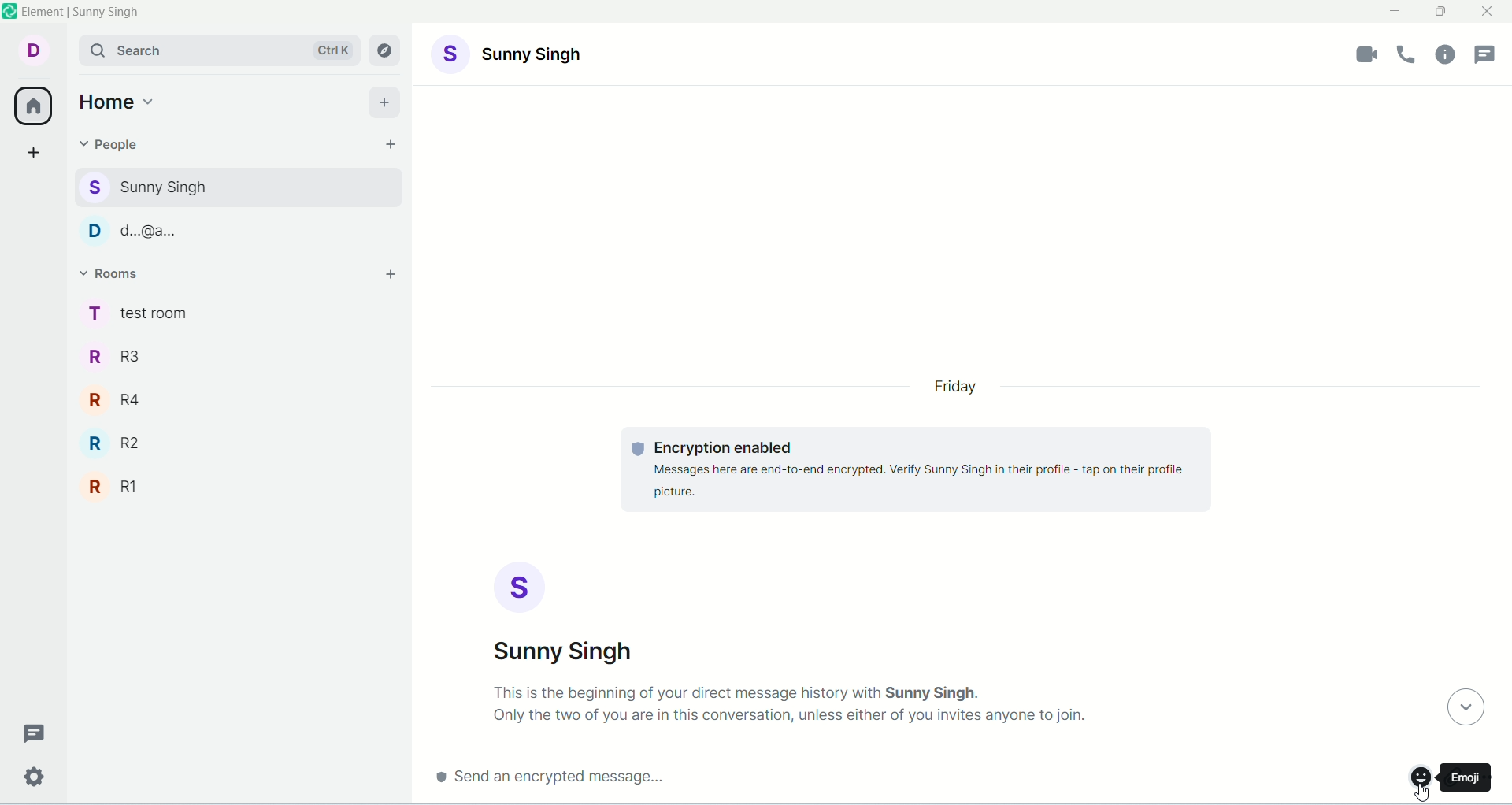 The width and height of the screenshot is (1512, 805). Describe the element at coordinates (915, 471) in the screenshot. I see `test` at that location.